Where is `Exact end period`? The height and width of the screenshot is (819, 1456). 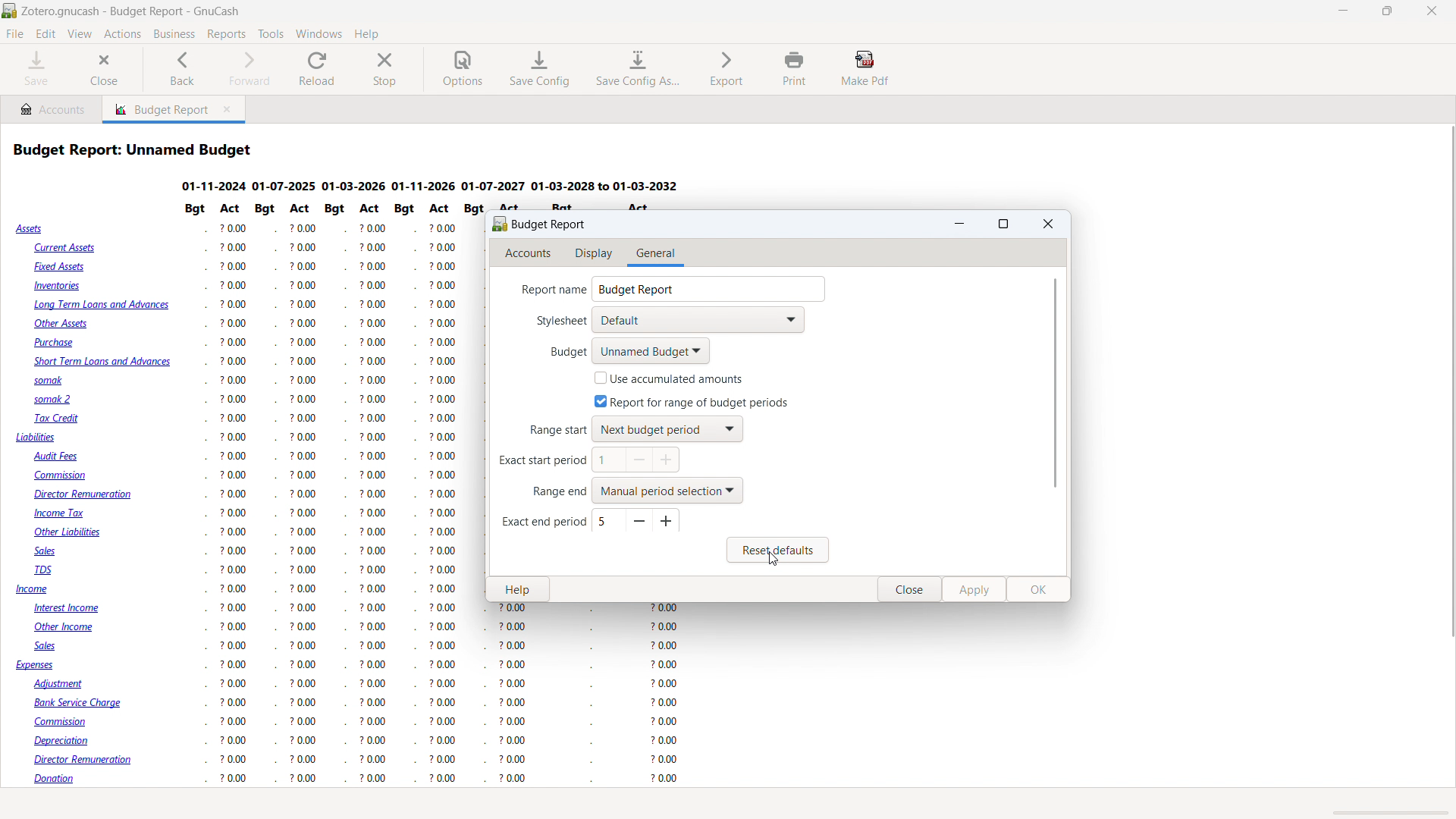 Exact end period is located at coordinates (541, 523).